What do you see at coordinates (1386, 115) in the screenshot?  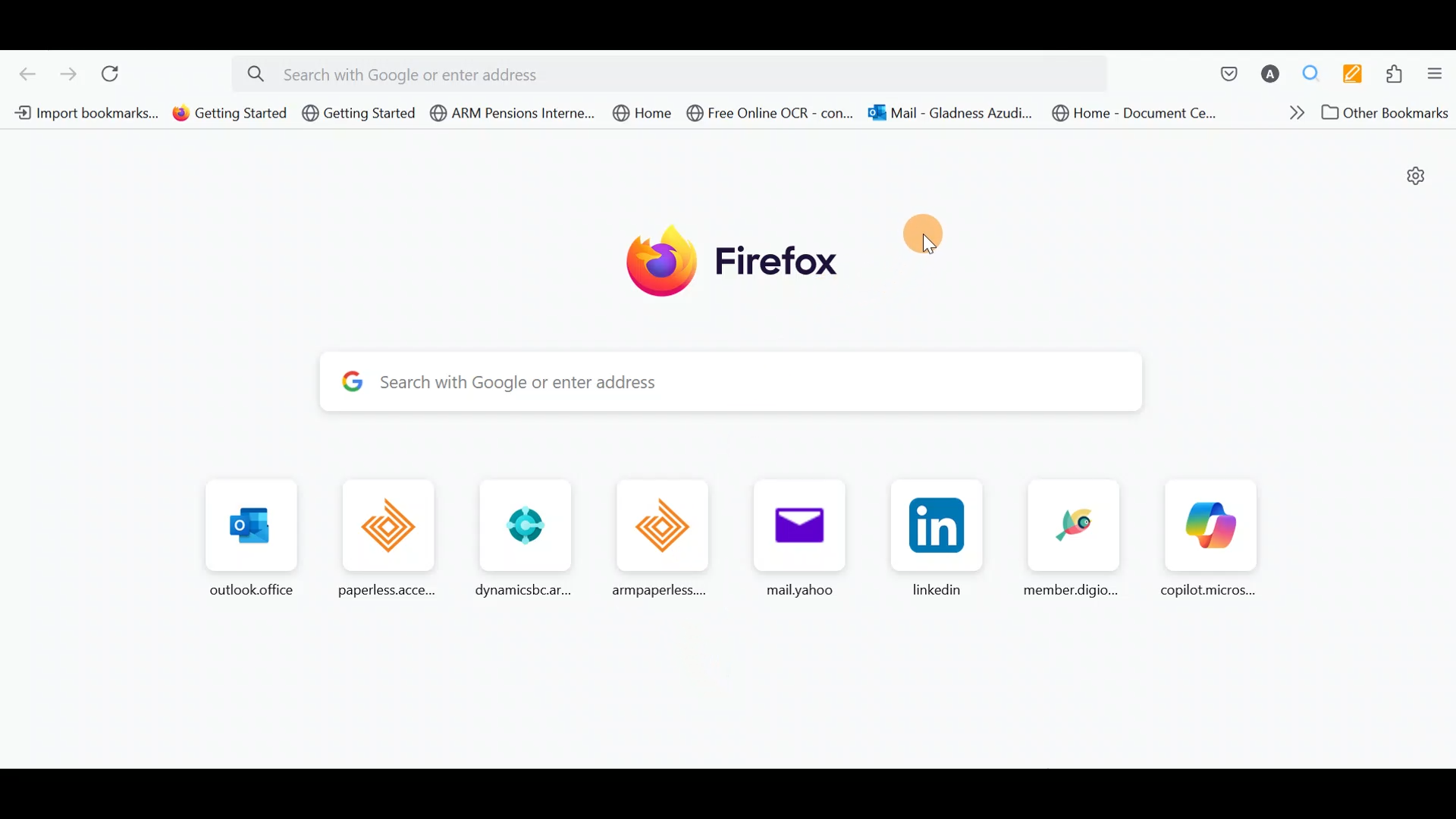 I see `Other bookmarks` at bounding box center [1386, 115].